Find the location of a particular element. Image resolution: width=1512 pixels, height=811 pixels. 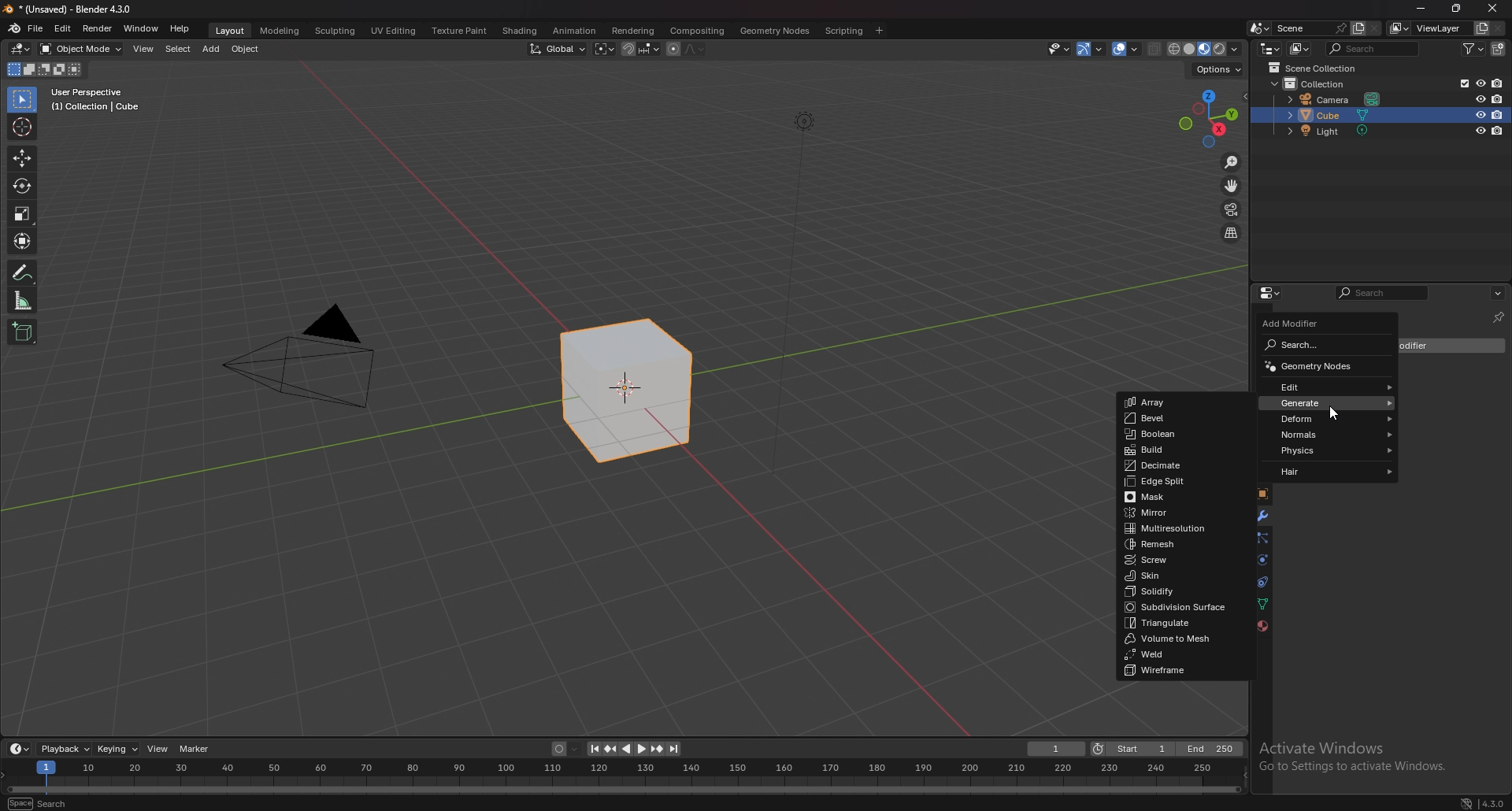

add scene is located at coordinates (1357, 28).